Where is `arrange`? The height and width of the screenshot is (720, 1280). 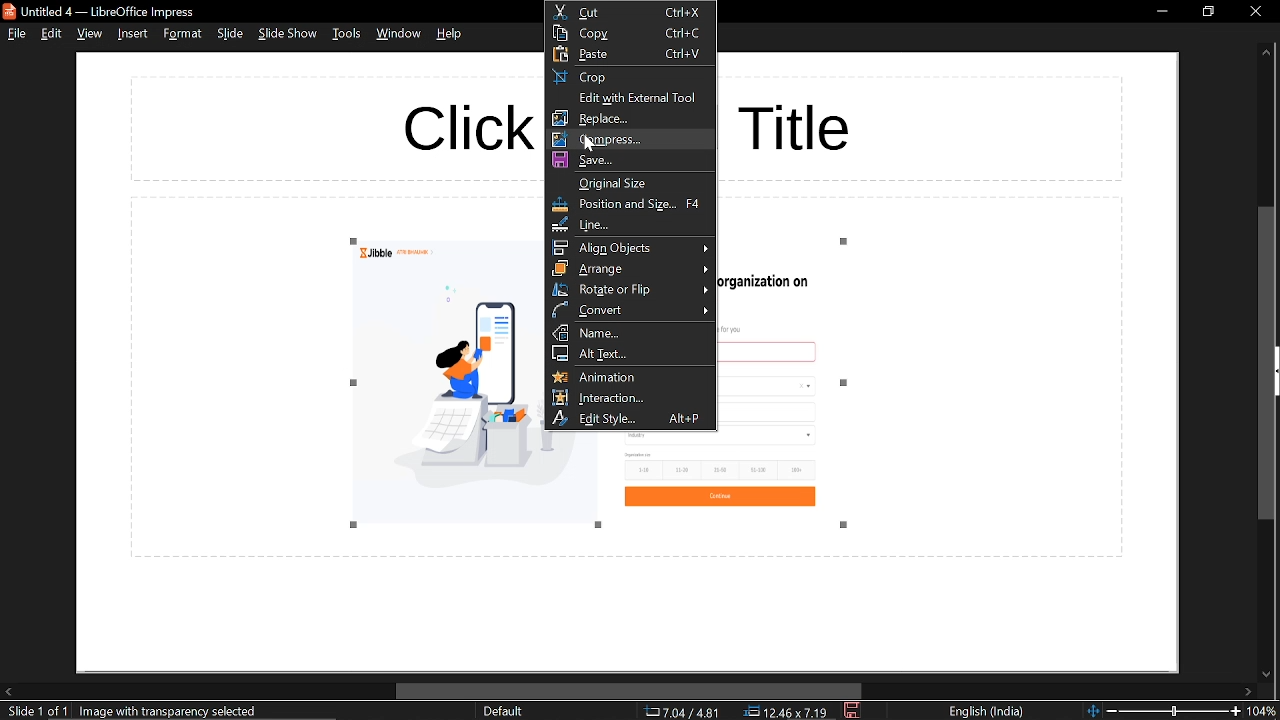 arrange is located at coordinates (630, 268).